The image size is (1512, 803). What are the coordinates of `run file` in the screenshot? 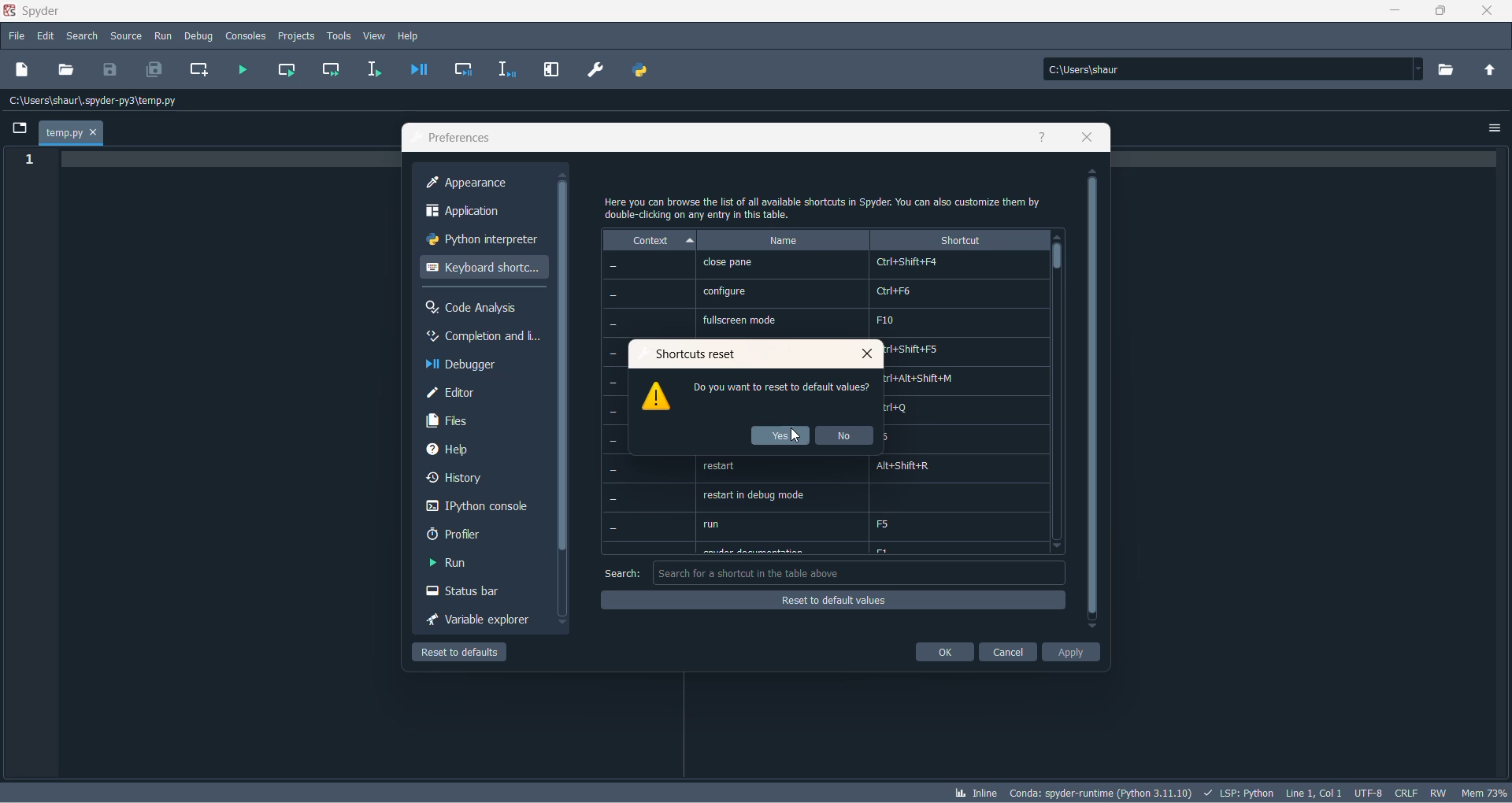 It's located at (239, 70).